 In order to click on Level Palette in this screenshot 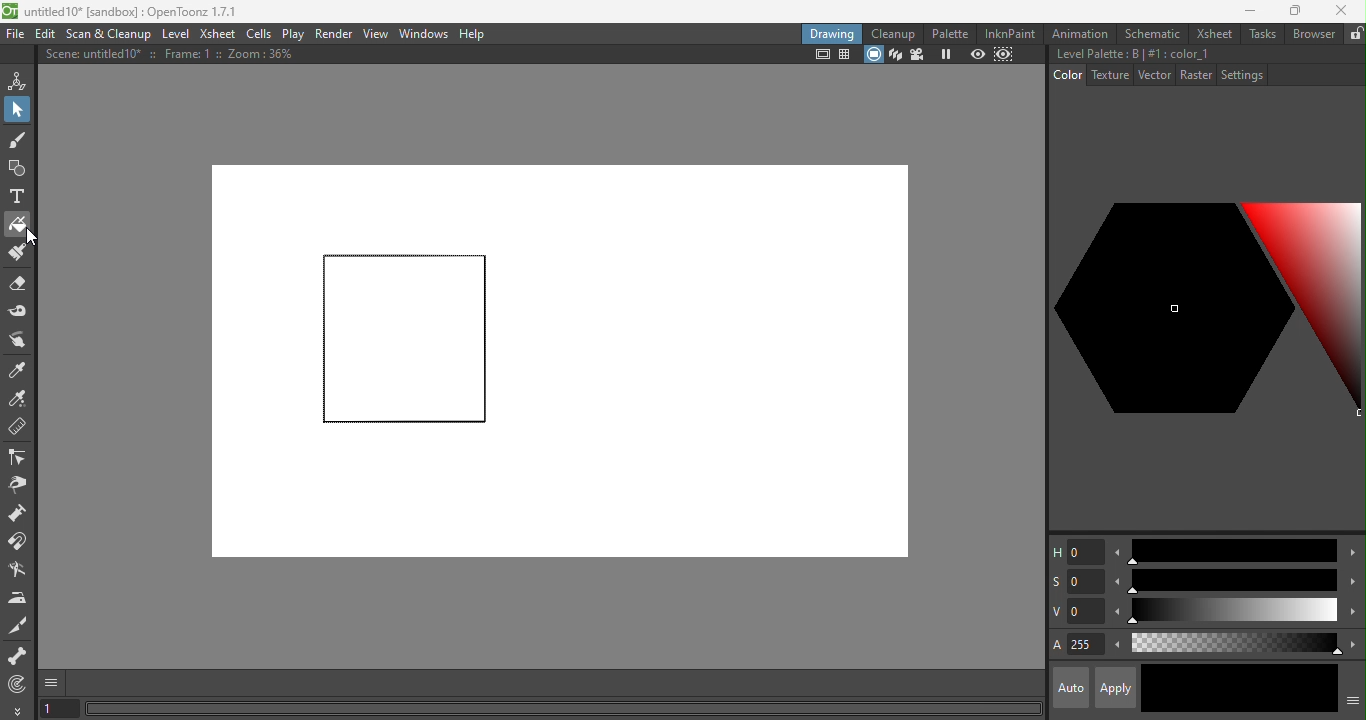, I will do `click(1132, 54)`.